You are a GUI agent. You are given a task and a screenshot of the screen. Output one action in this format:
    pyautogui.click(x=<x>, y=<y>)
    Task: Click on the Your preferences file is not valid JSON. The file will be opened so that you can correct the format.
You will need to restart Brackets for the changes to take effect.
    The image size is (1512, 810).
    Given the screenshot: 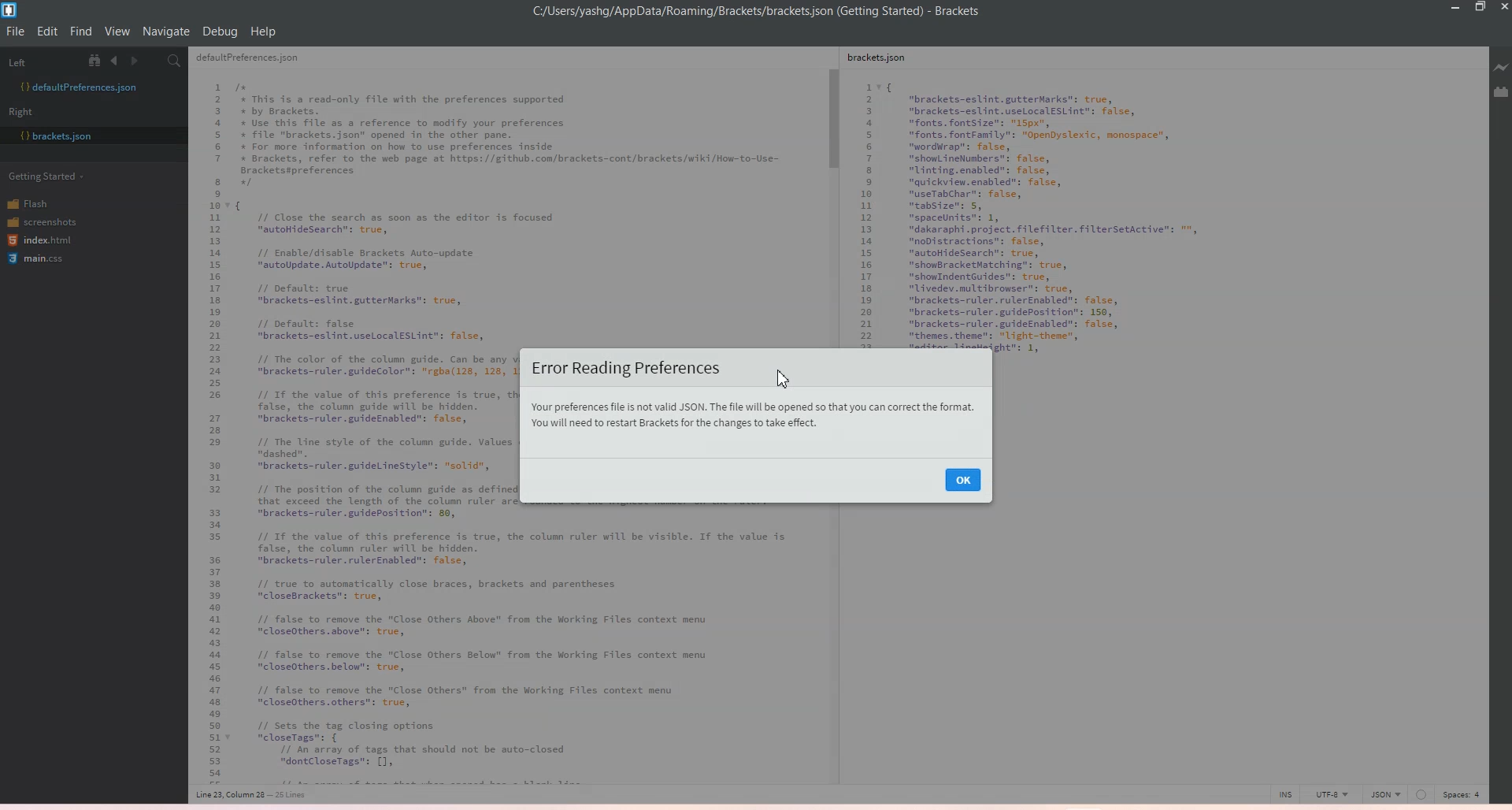 What is the action you would take?
    pyautogui.click(x=753, y=417)
    